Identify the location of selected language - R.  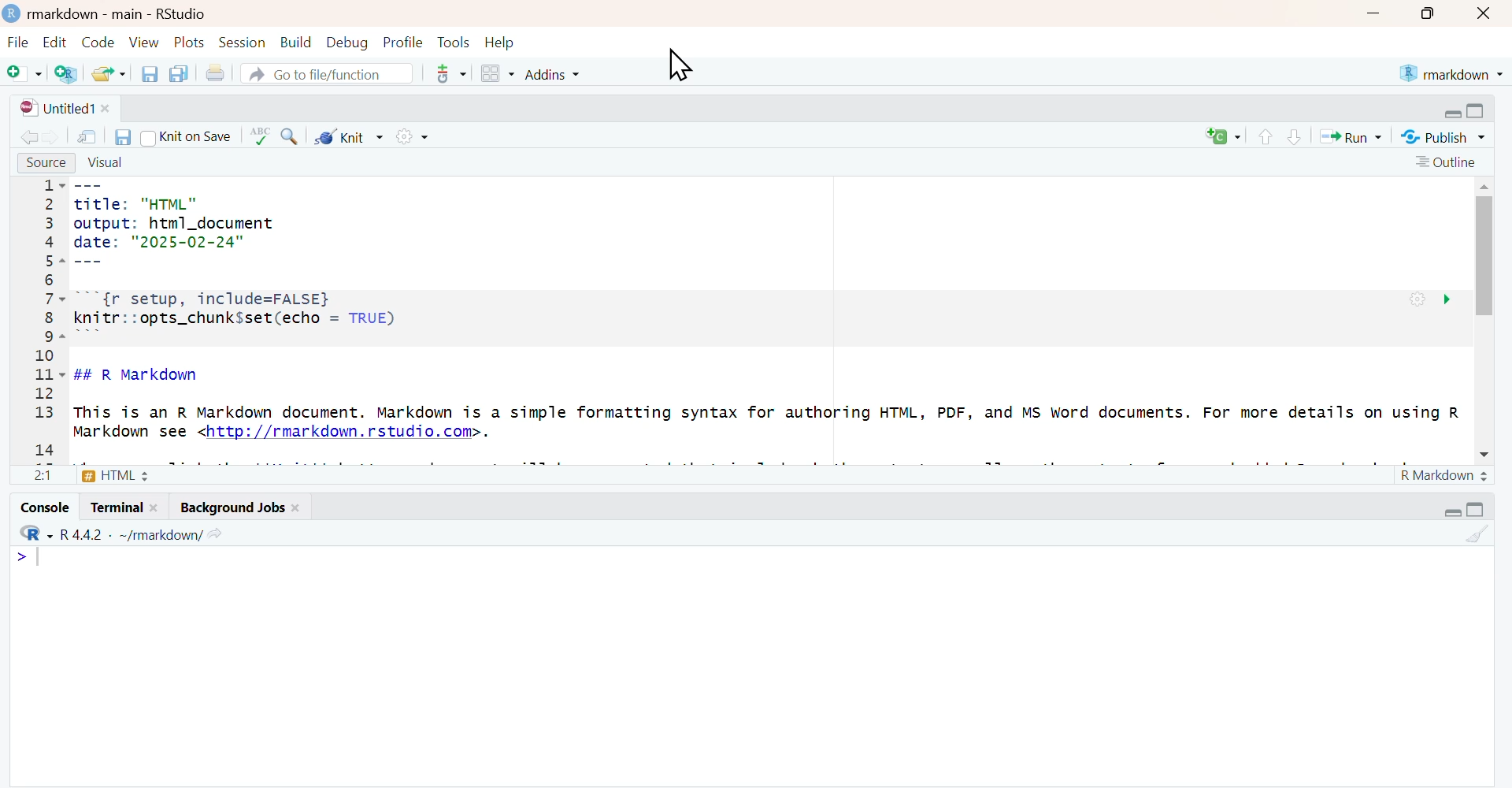
(31, 533).